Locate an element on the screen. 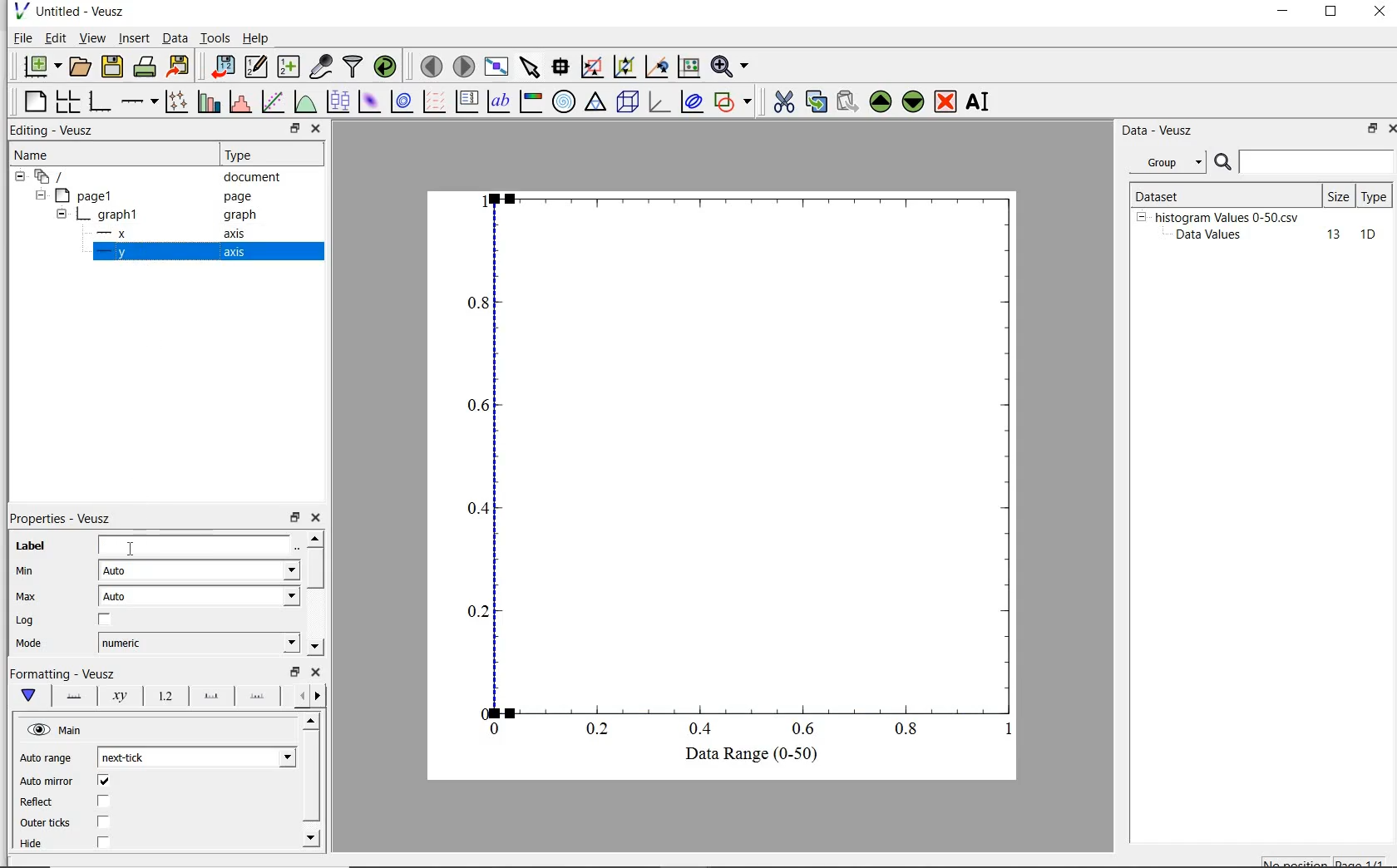  plot points with line and error bars is located at coordinates (177, 101).